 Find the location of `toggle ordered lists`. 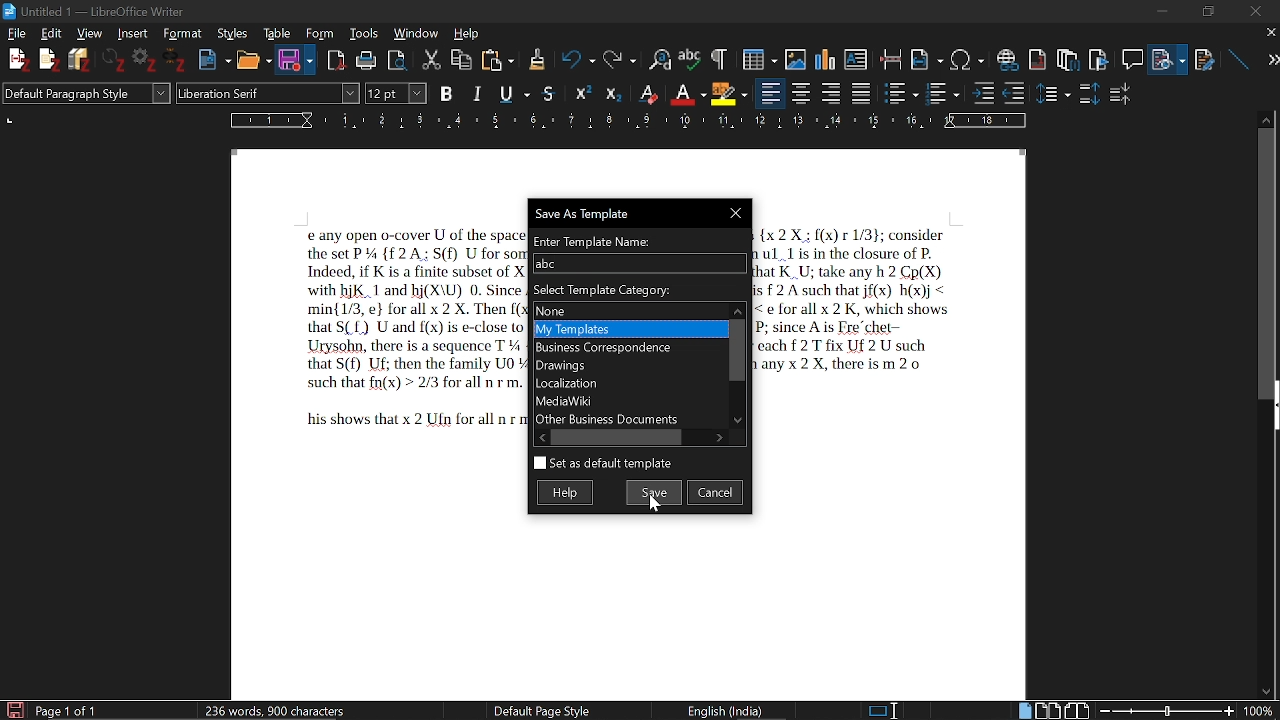

toggle ordered lists is located at coordinates (944, 92).